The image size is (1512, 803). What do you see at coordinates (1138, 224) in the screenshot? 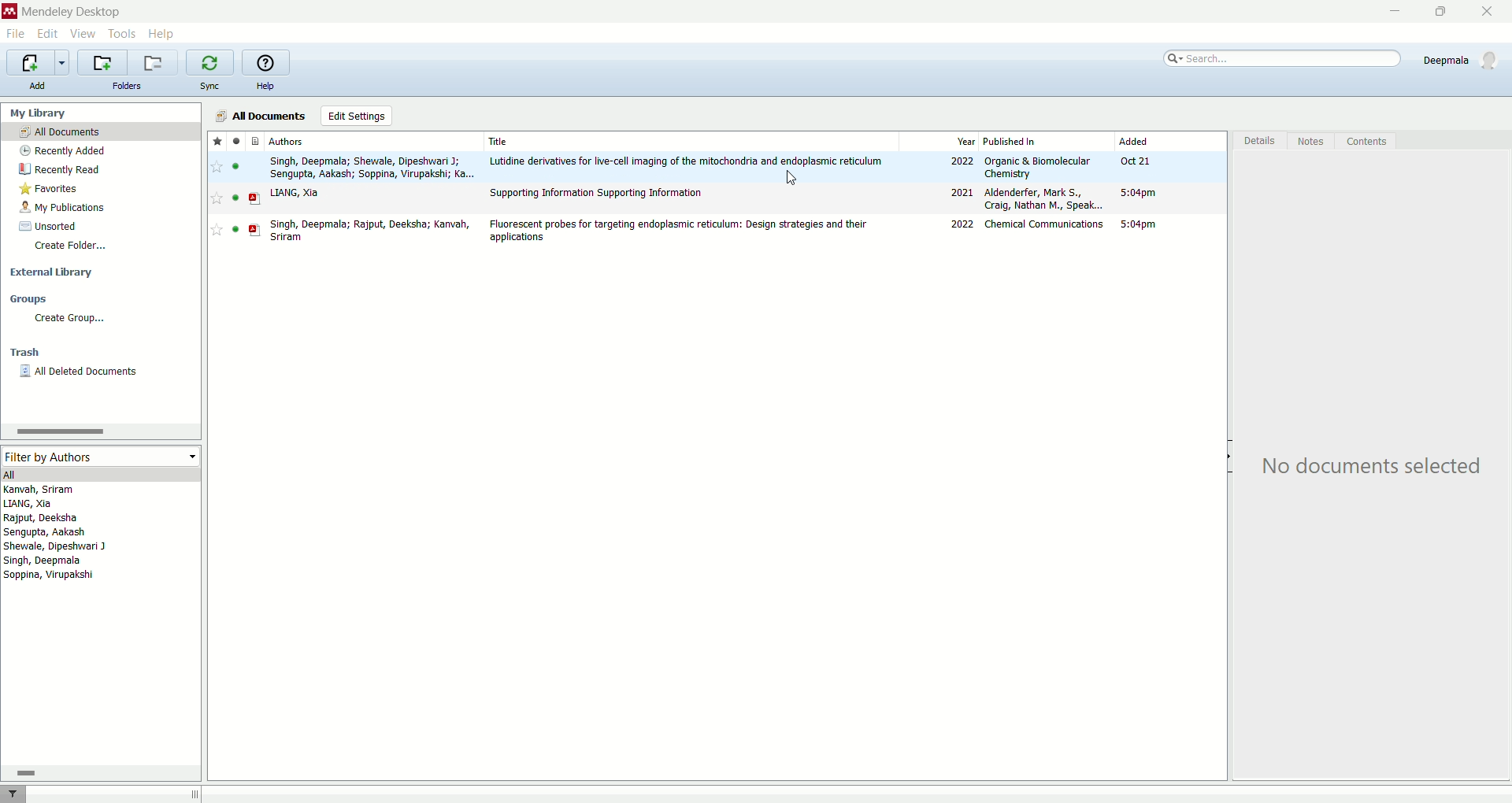
I see `5:04pm` at bounding box center [1138, 224].